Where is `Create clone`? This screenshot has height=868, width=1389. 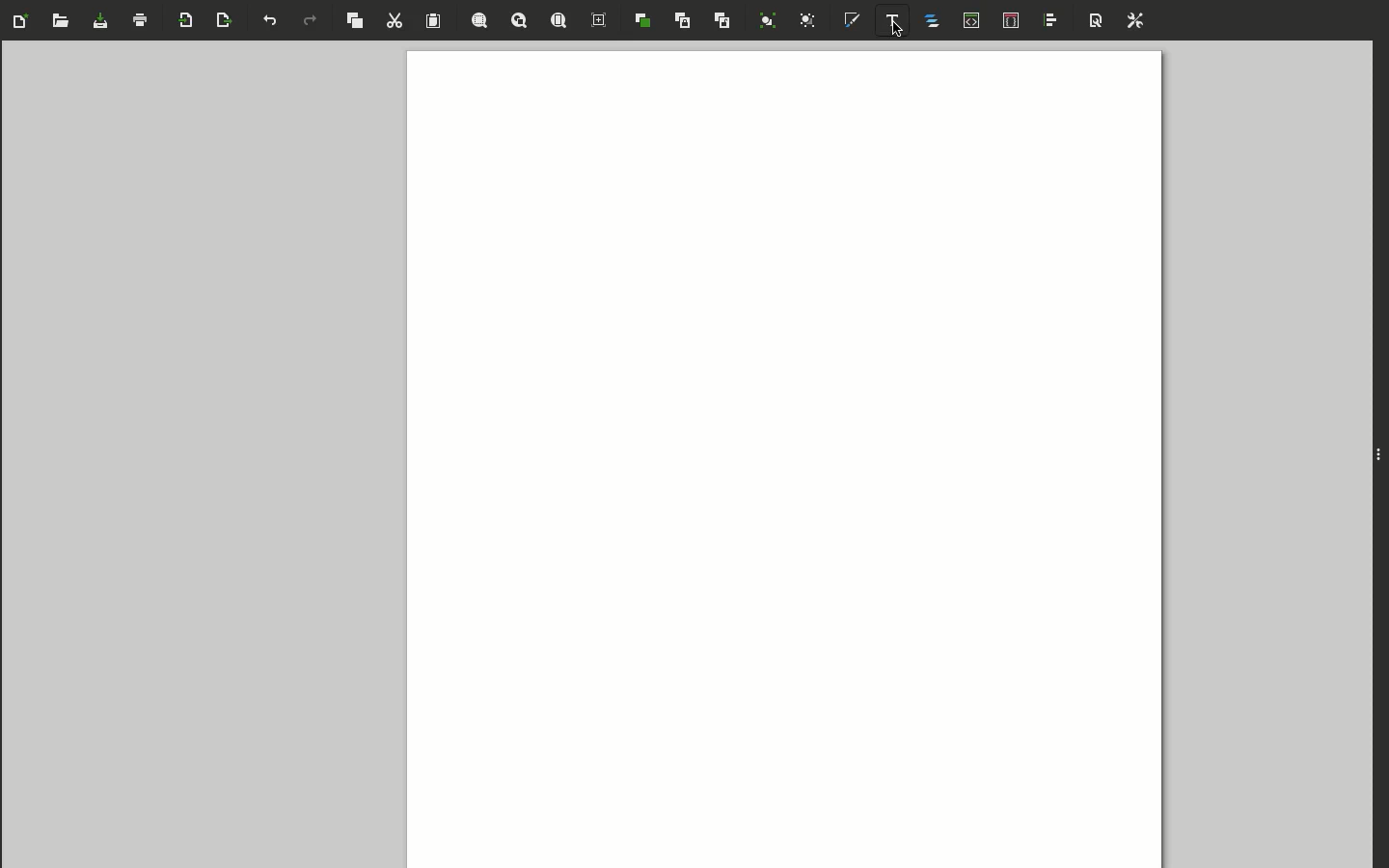
Create clone is located at coordinates (684, 22).